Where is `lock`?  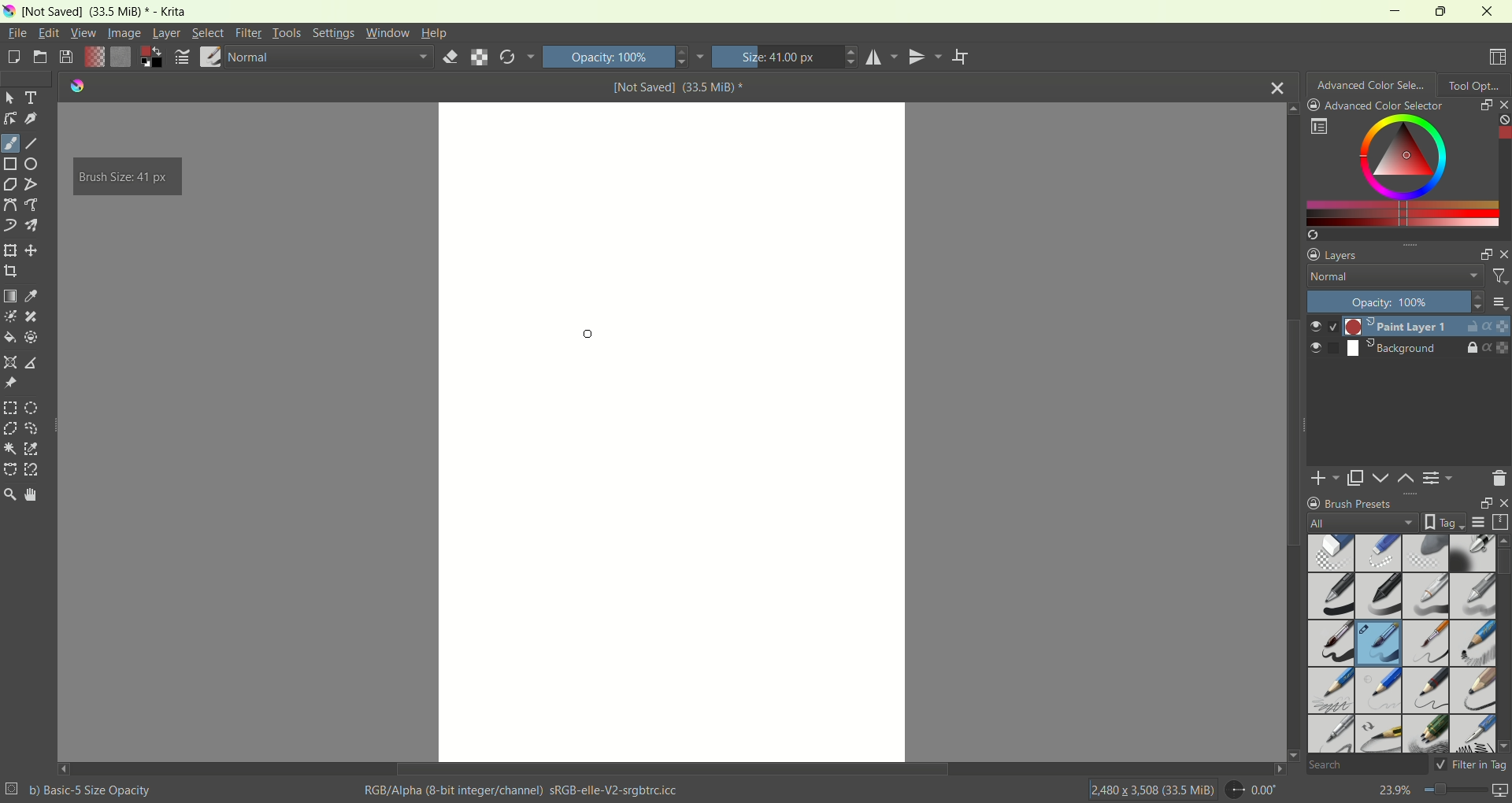
lock is located at coordinates (1472, 349).